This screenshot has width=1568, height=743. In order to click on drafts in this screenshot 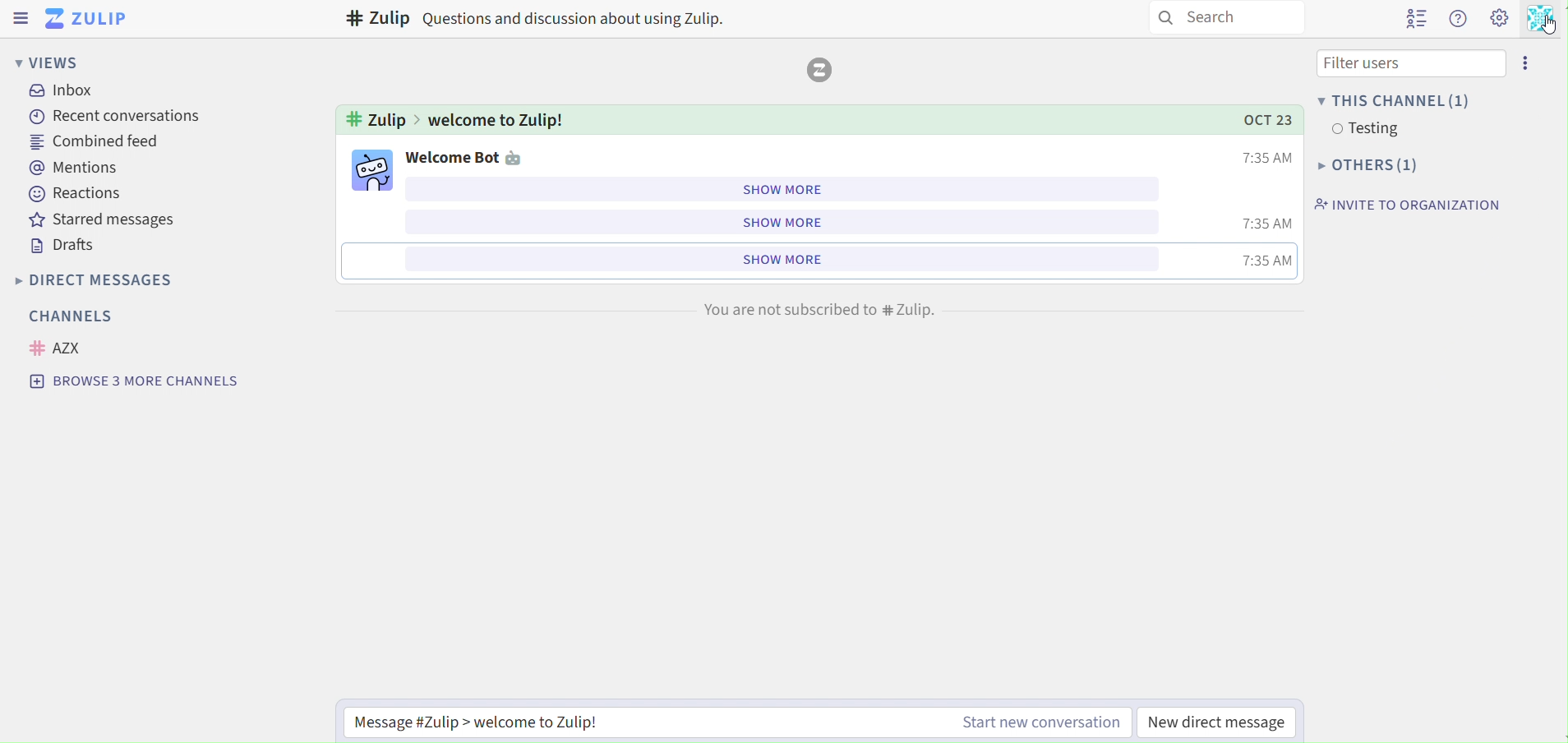, I will do `click(67, 246)`.